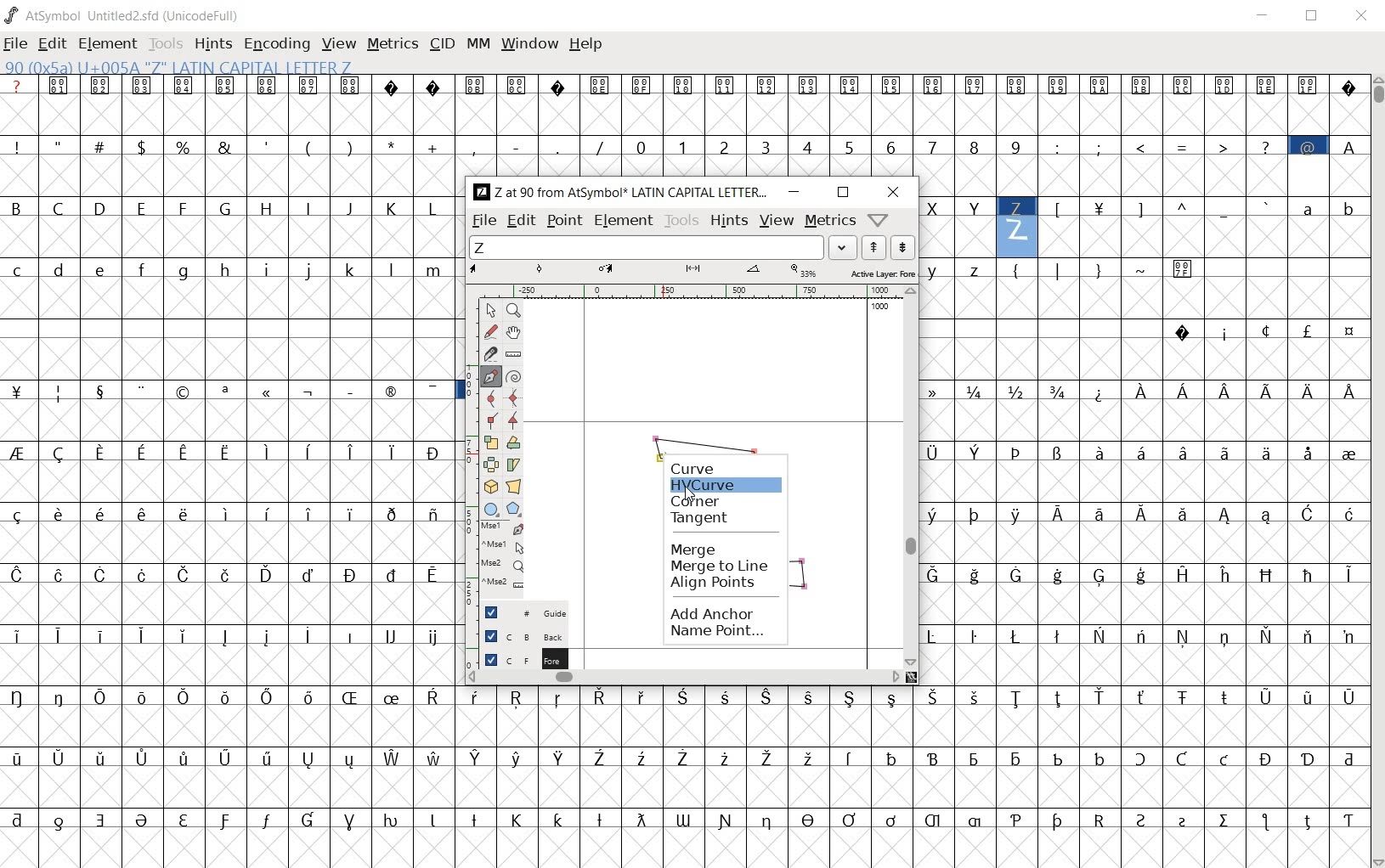 This screenshot has width=1385, height=868. I want to click on 90(0x5a) U+005A "Z" LATIN CAPITAL LETTER Z, so click(1017, 227).